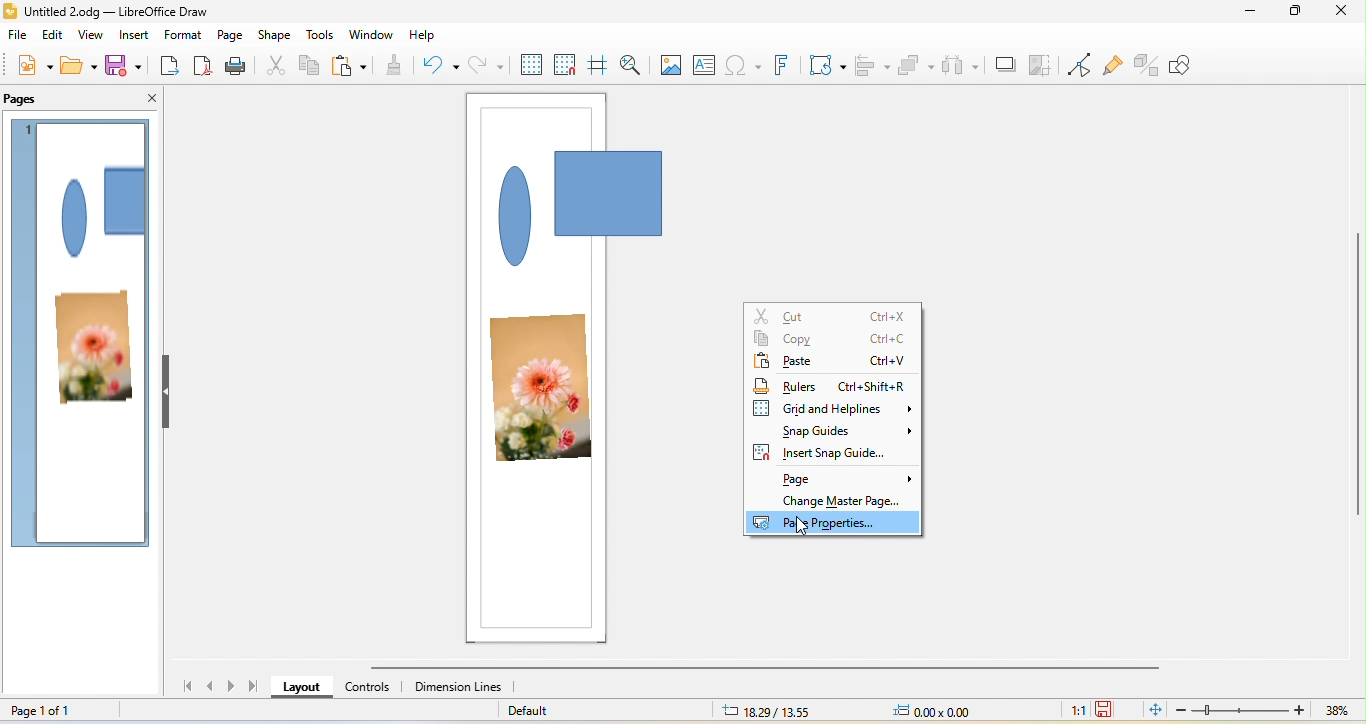  I want to click on select at least three object to distribute, so click(963, 65).